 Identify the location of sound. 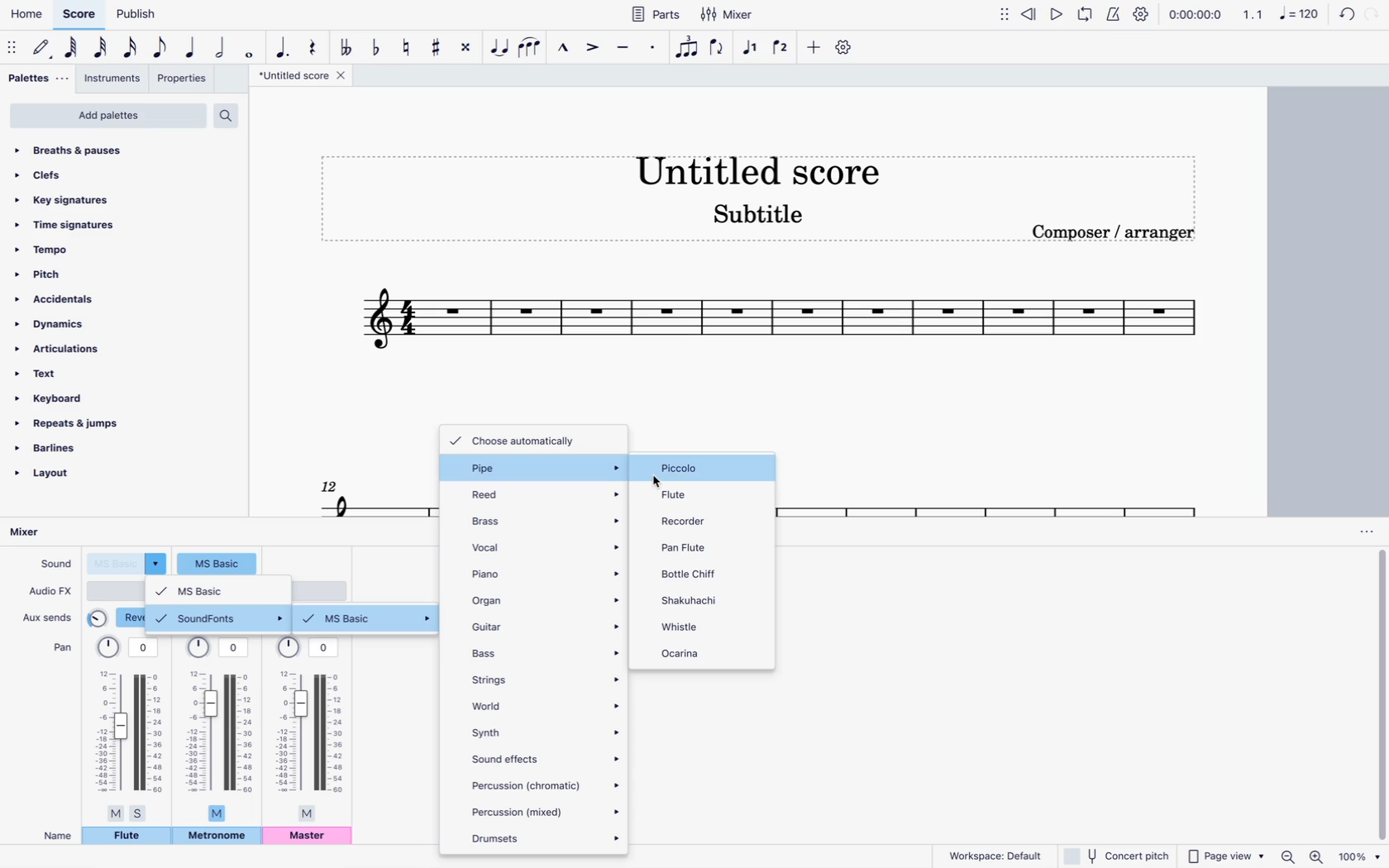
(54, 562).